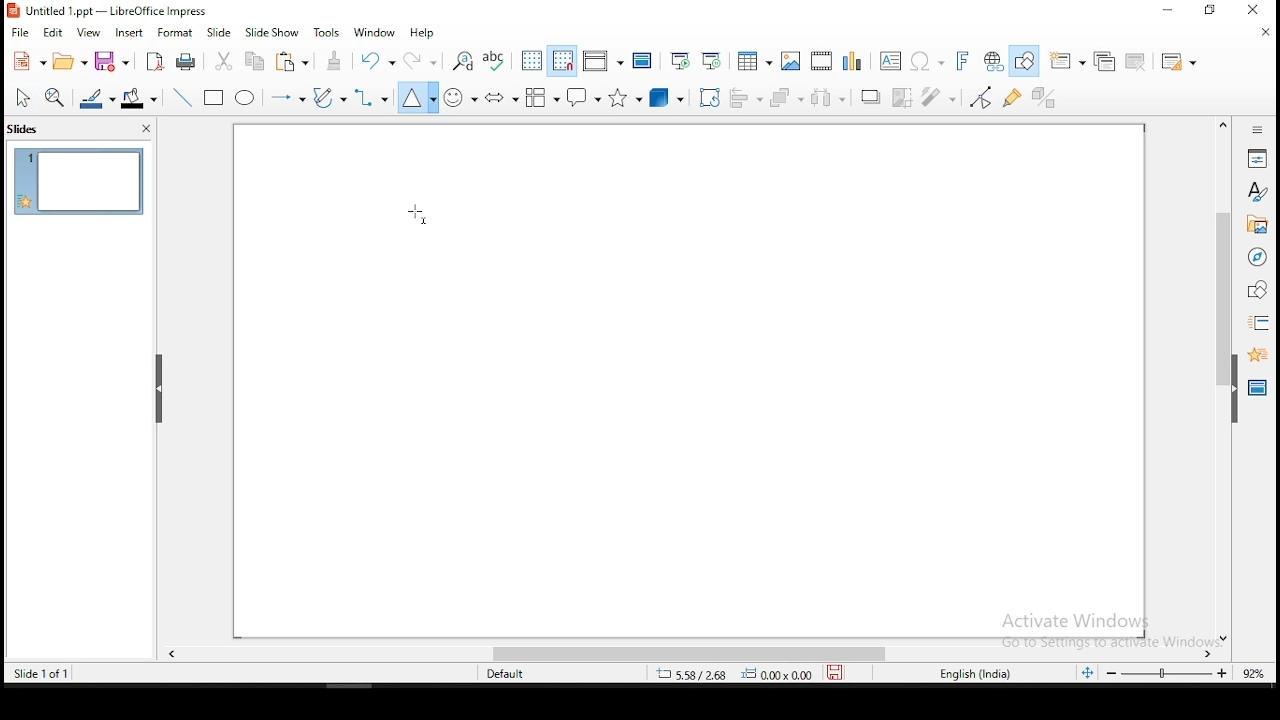  Describe the element at coordinates (713, 61) in the screenshot. I see `start from current slide` at that location.